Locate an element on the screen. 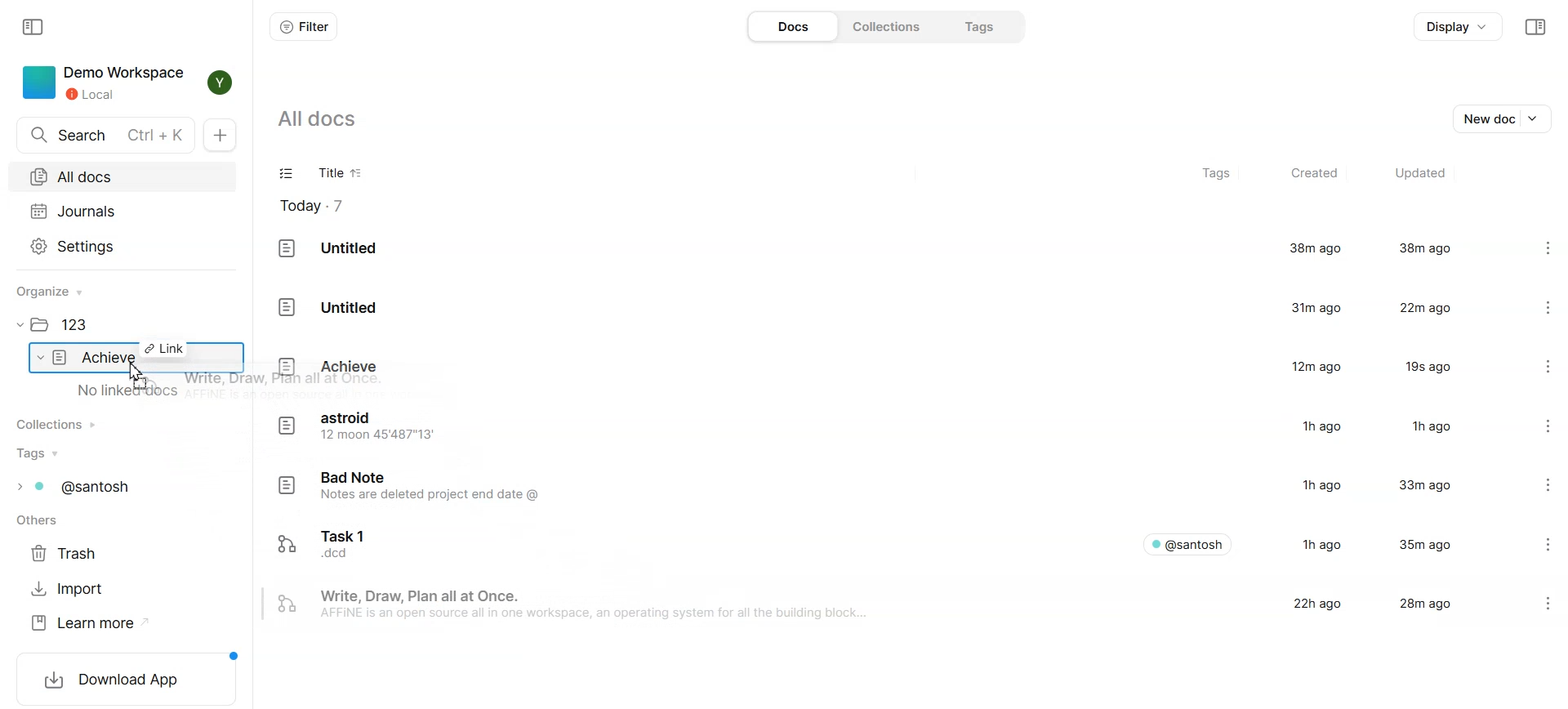  Settings is located at coordinates (1534, 366).